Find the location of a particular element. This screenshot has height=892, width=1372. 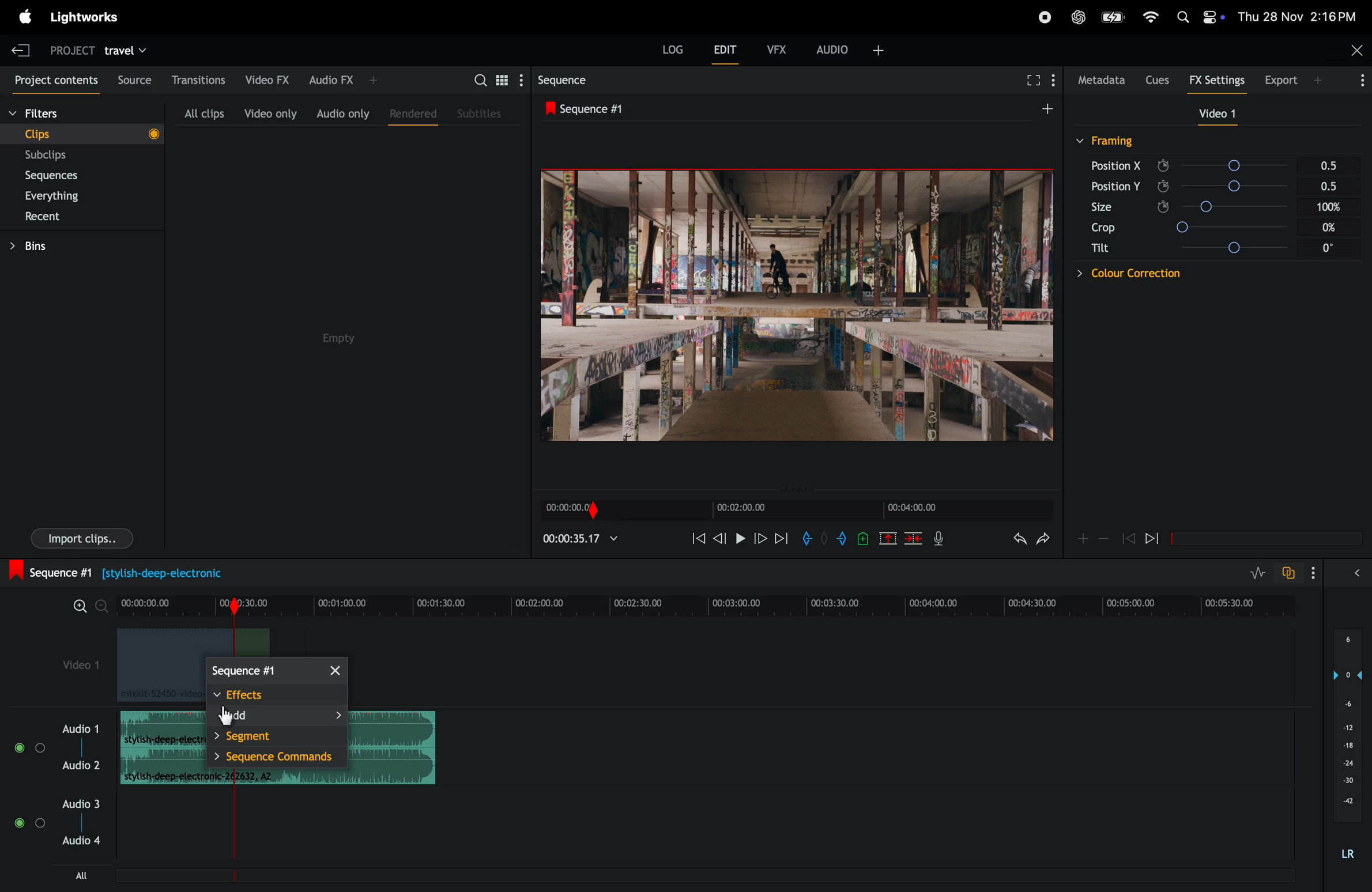

log is located at coordinates (669, 51).